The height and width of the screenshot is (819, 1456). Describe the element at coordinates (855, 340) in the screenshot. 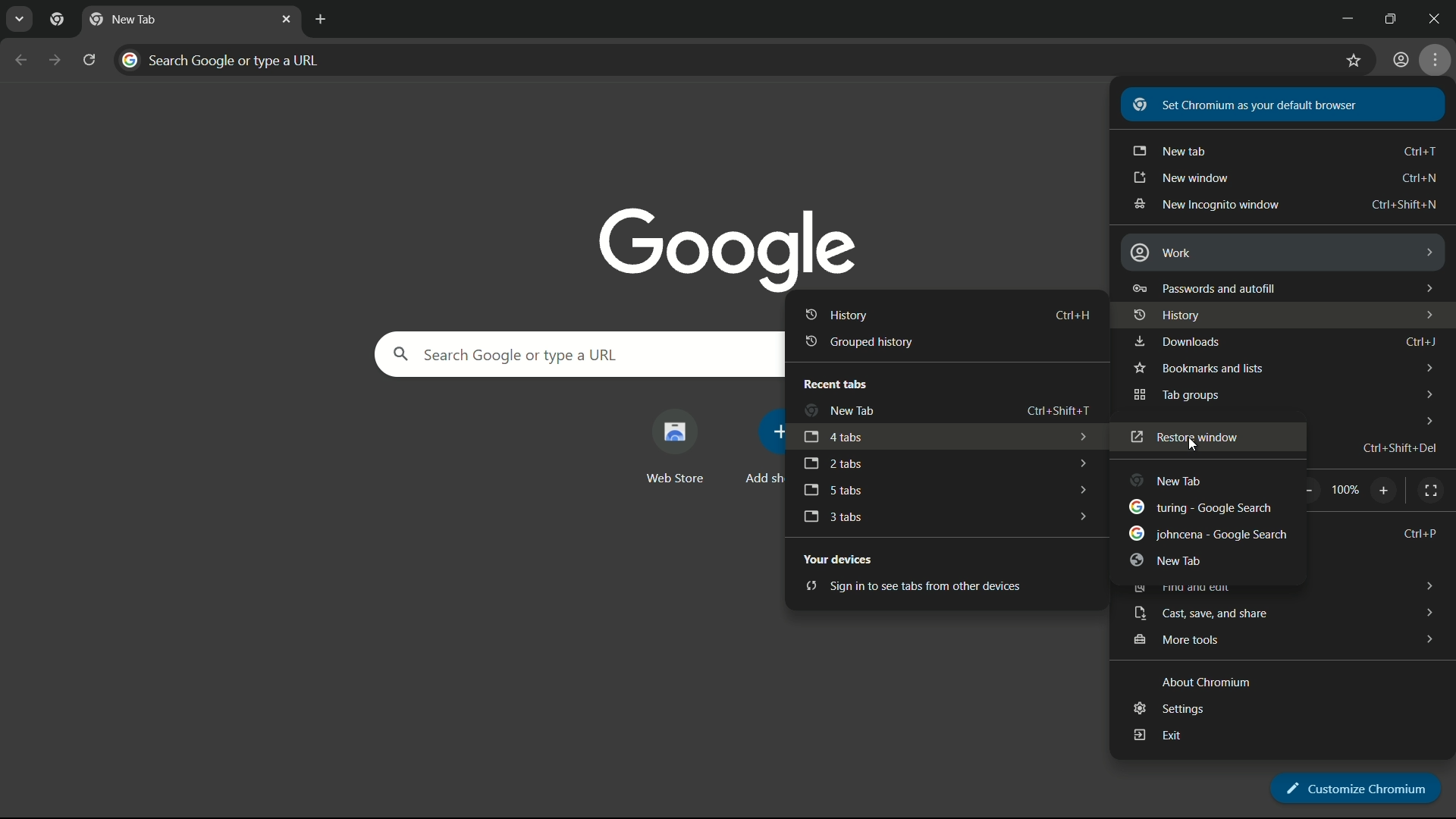

I see `grouped history` at that location.